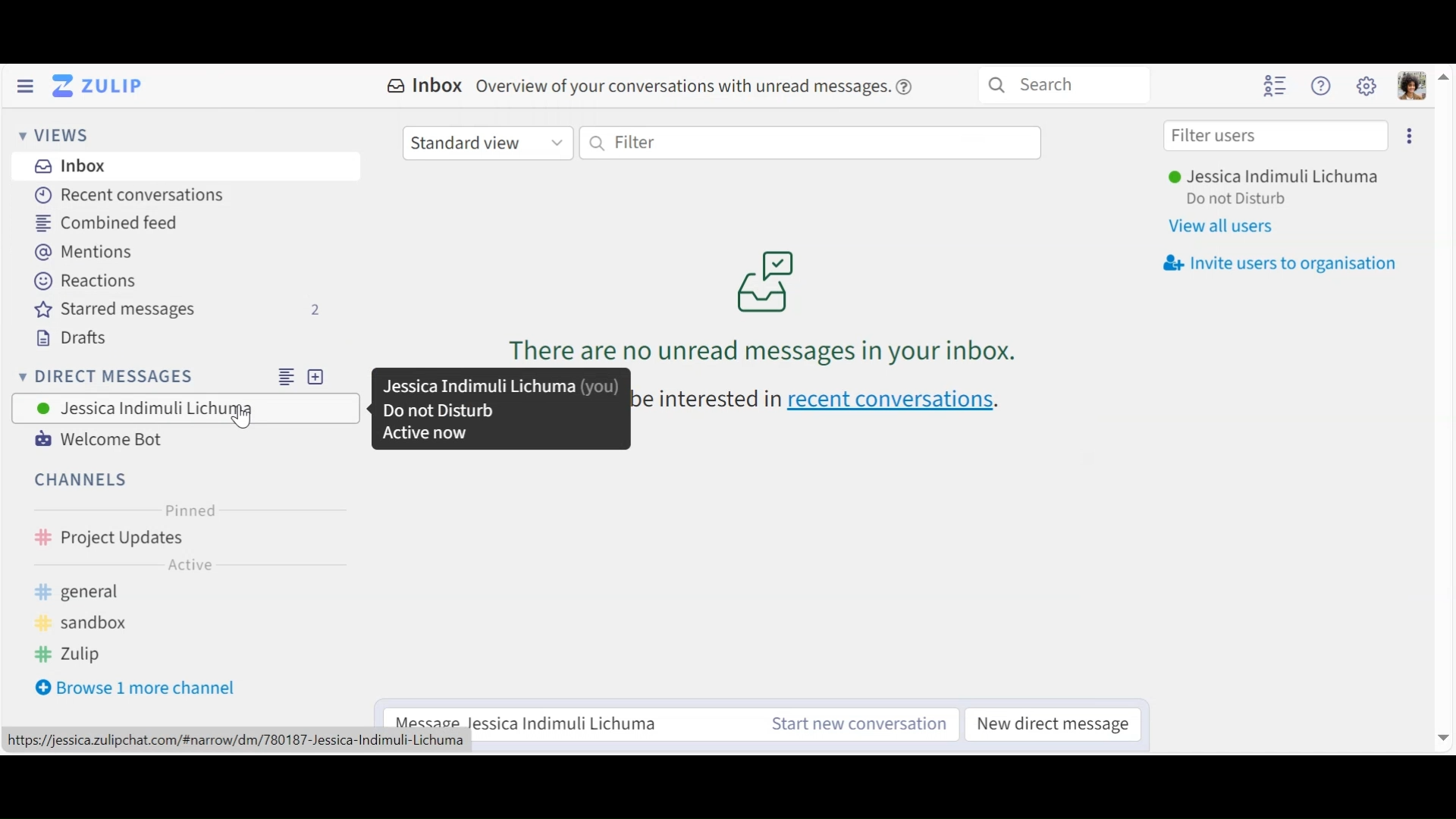 The height and width of the screenshot is (819, 1456). I want to click on Standard view, so click(489, 143).